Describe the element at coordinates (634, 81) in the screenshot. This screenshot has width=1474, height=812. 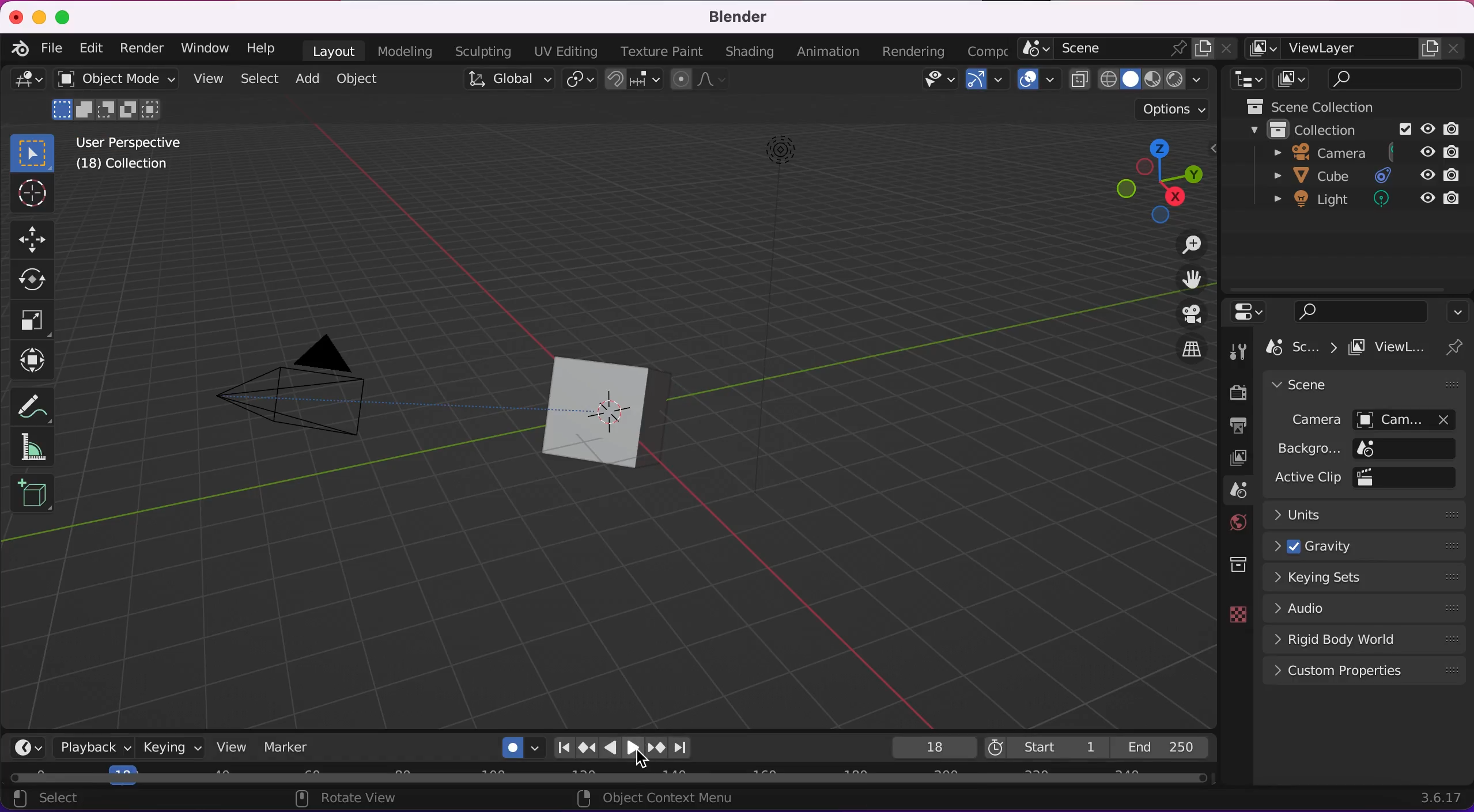
I see `snap` at that location.